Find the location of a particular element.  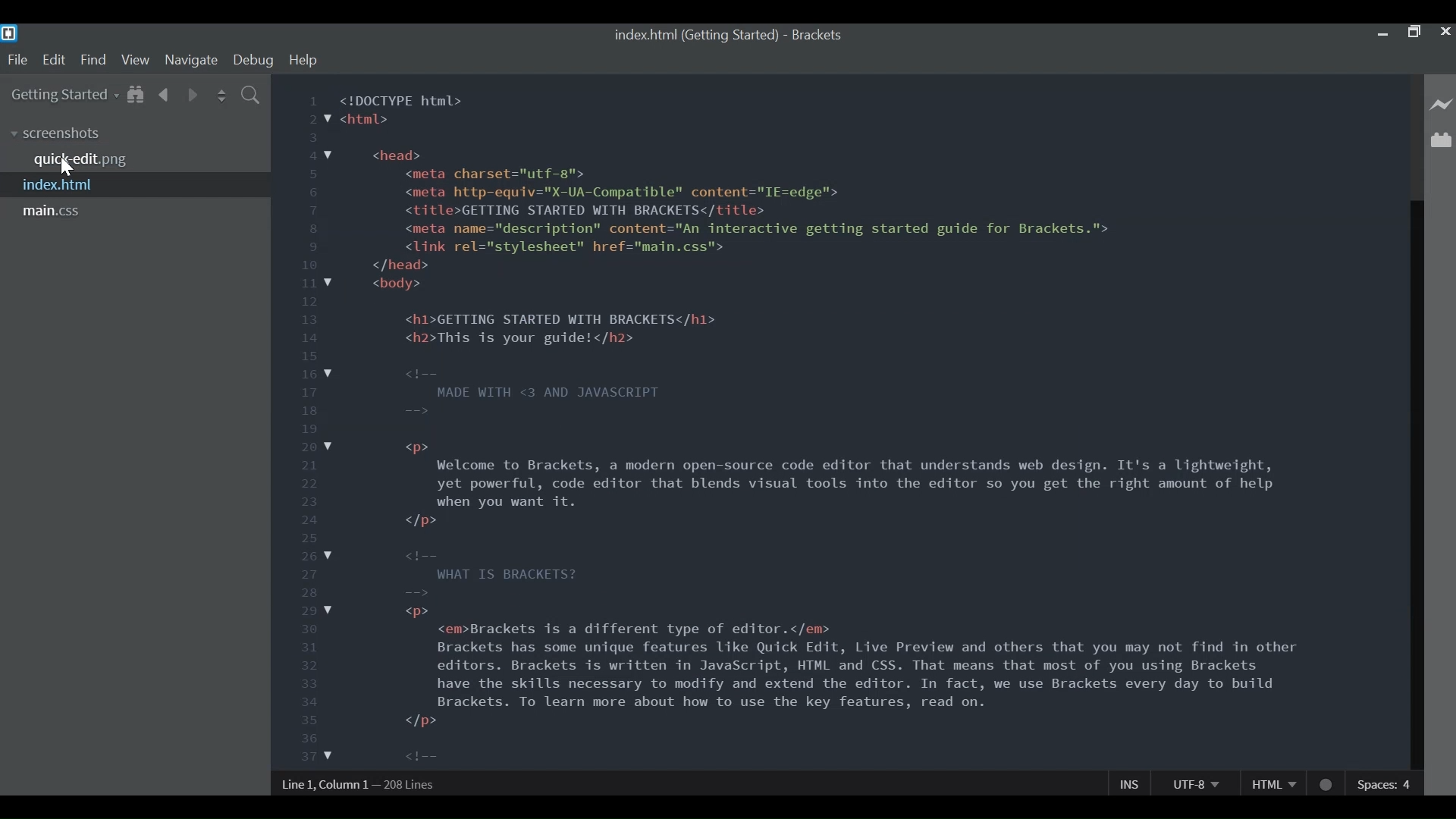

Navigate is located at coordinates (192, 60).